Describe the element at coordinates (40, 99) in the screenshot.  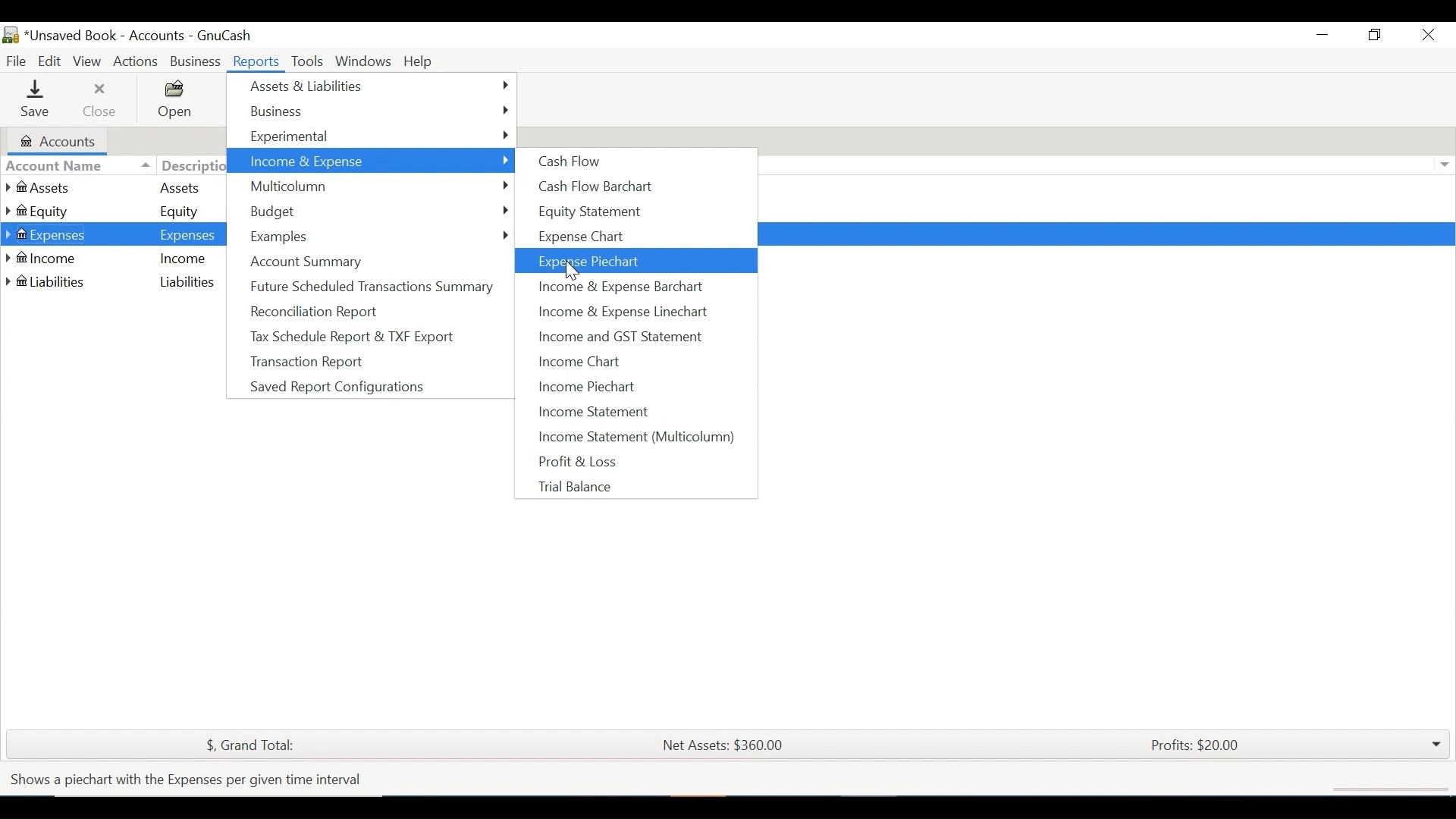
I see `Save` at that location.